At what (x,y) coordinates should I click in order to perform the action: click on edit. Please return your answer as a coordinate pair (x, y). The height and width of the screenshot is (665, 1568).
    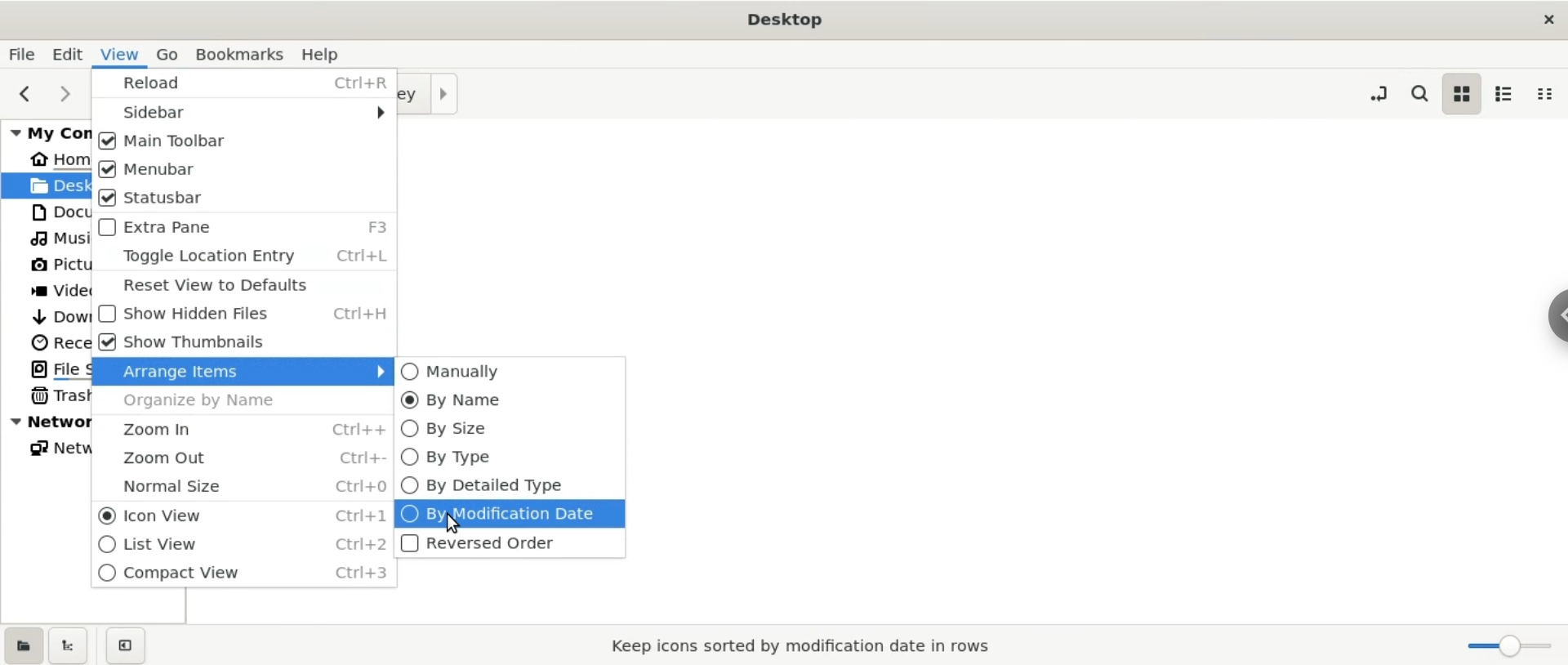
    Looking at the image, I should click on (73, 55).